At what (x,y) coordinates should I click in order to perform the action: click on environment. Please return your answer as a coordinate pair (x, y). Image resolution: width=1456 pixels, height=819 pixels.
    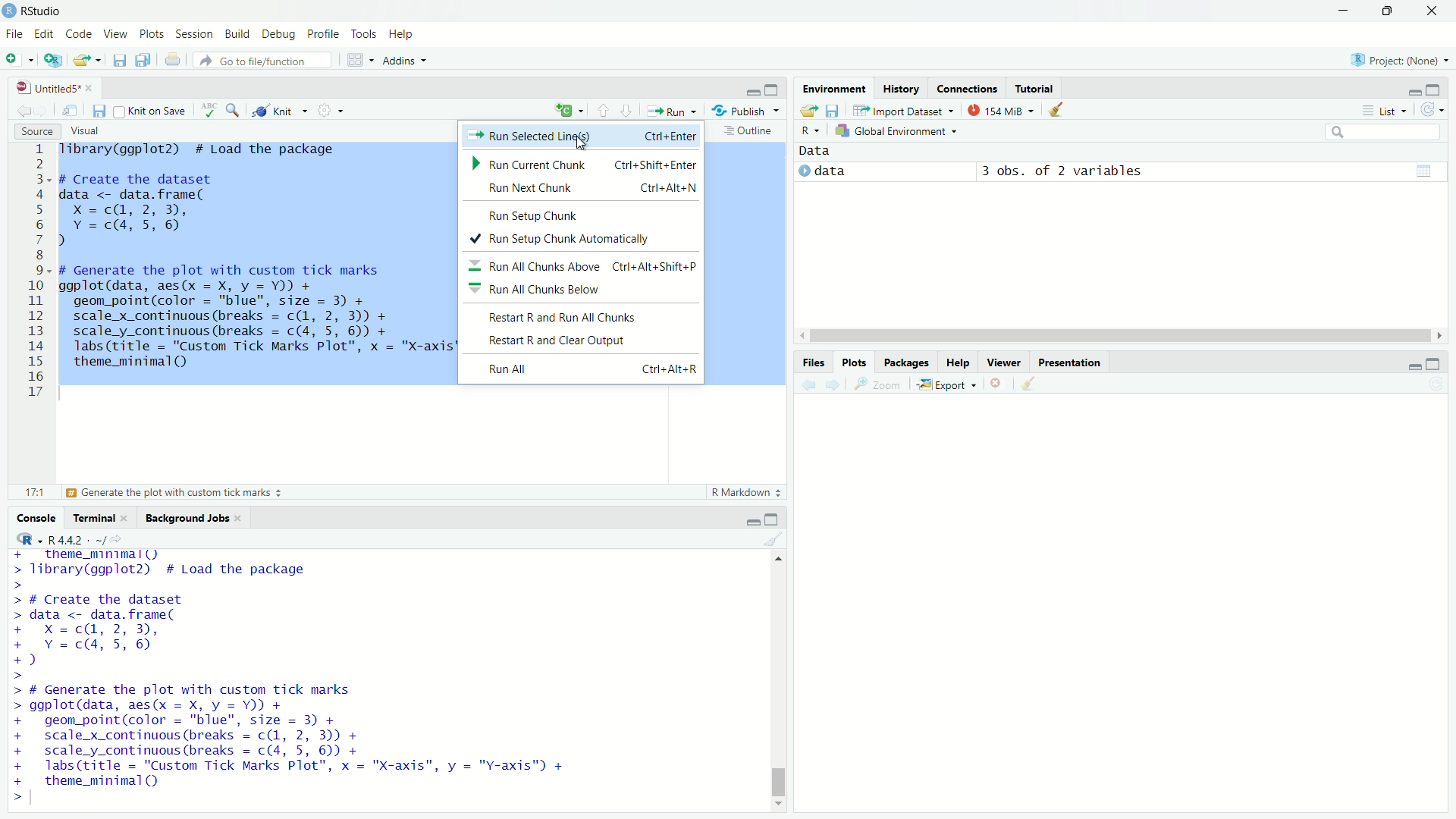
    Looking at the image, I should click on (835, 87).